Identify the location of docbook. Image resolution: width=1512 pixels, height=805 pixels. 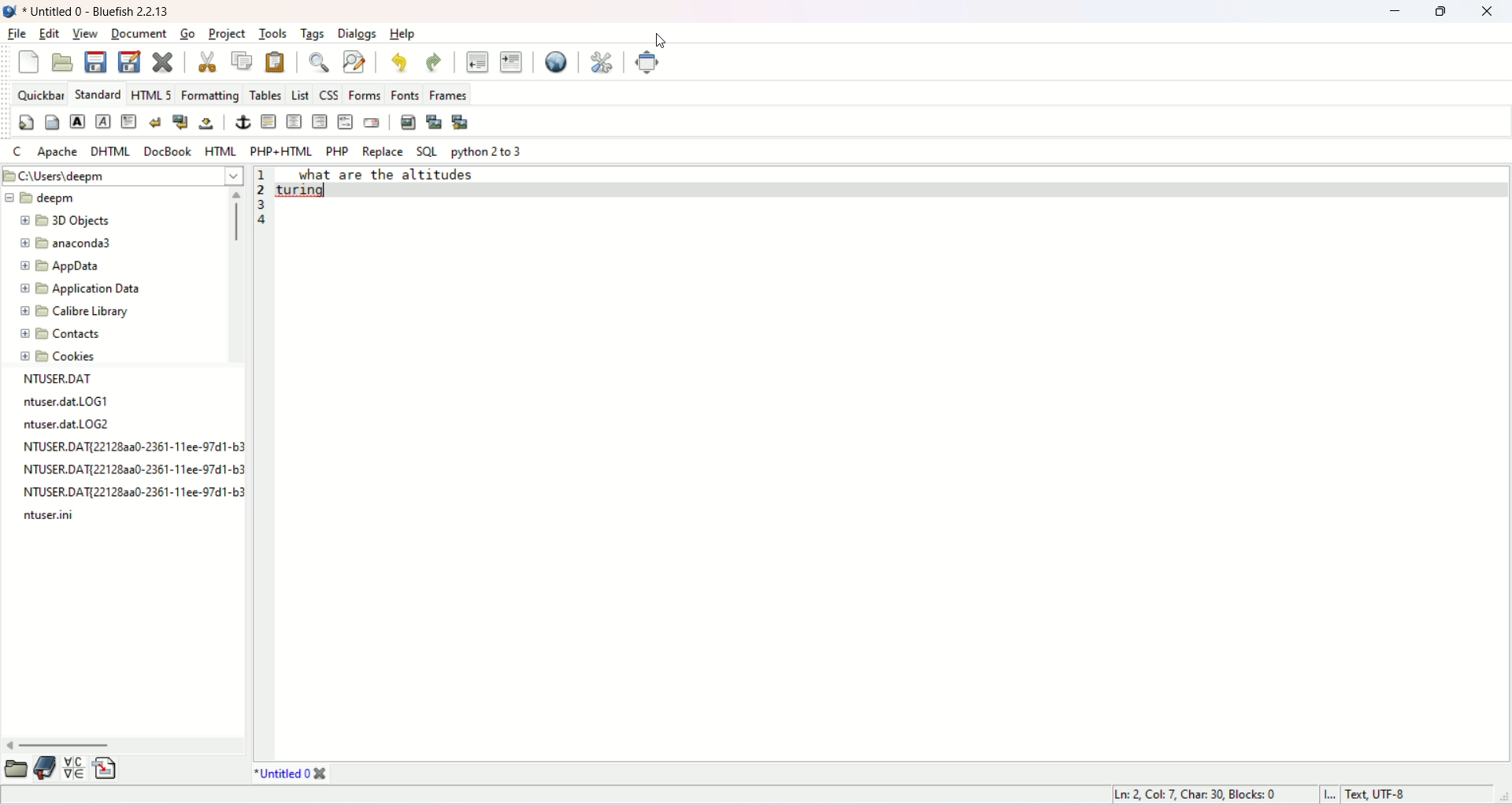
(170, 149).